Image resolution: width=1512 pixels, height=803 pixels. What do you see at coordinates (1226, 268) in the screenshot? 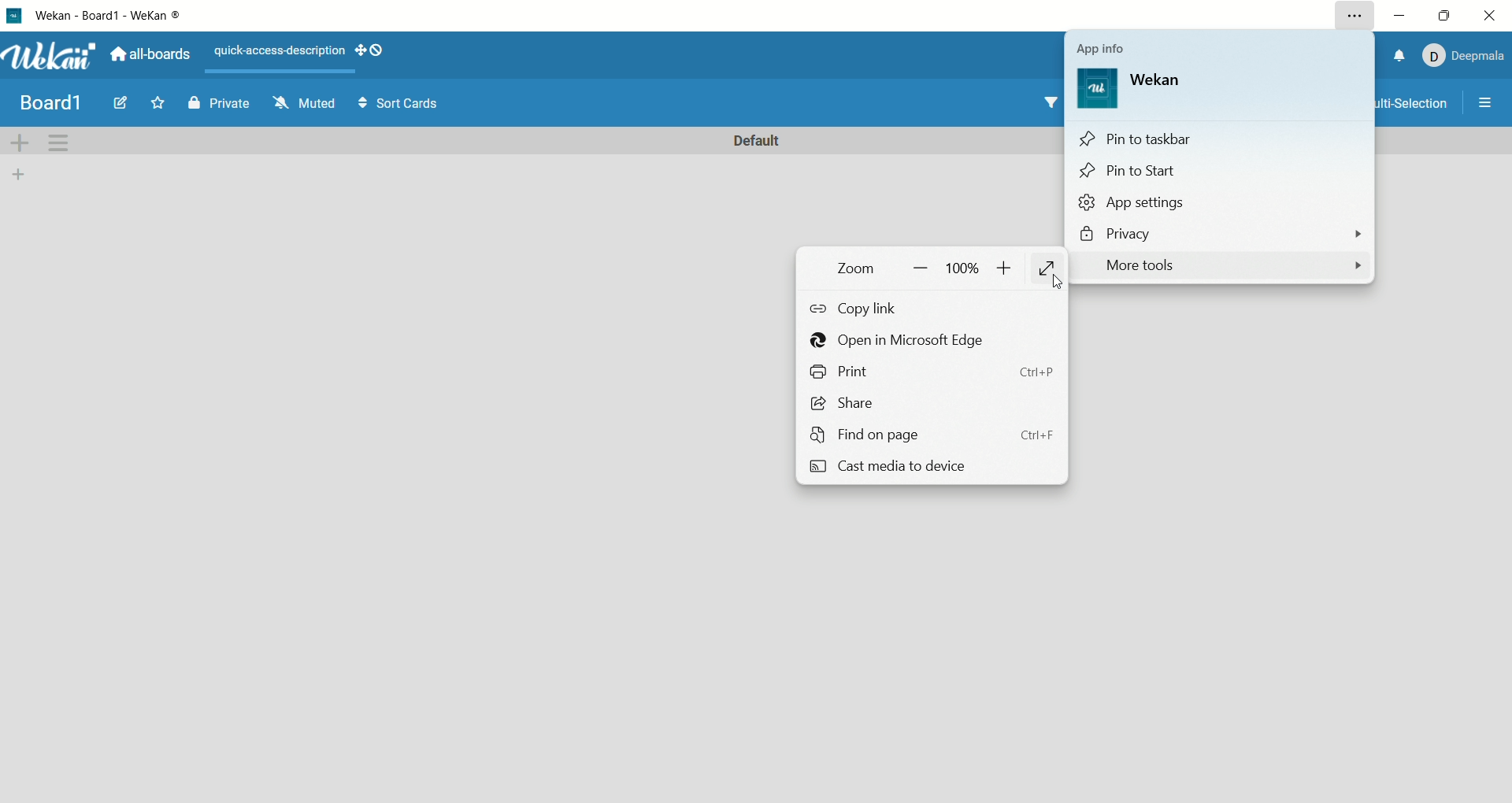
I see `more tools` at bounding box center [1226, 268].